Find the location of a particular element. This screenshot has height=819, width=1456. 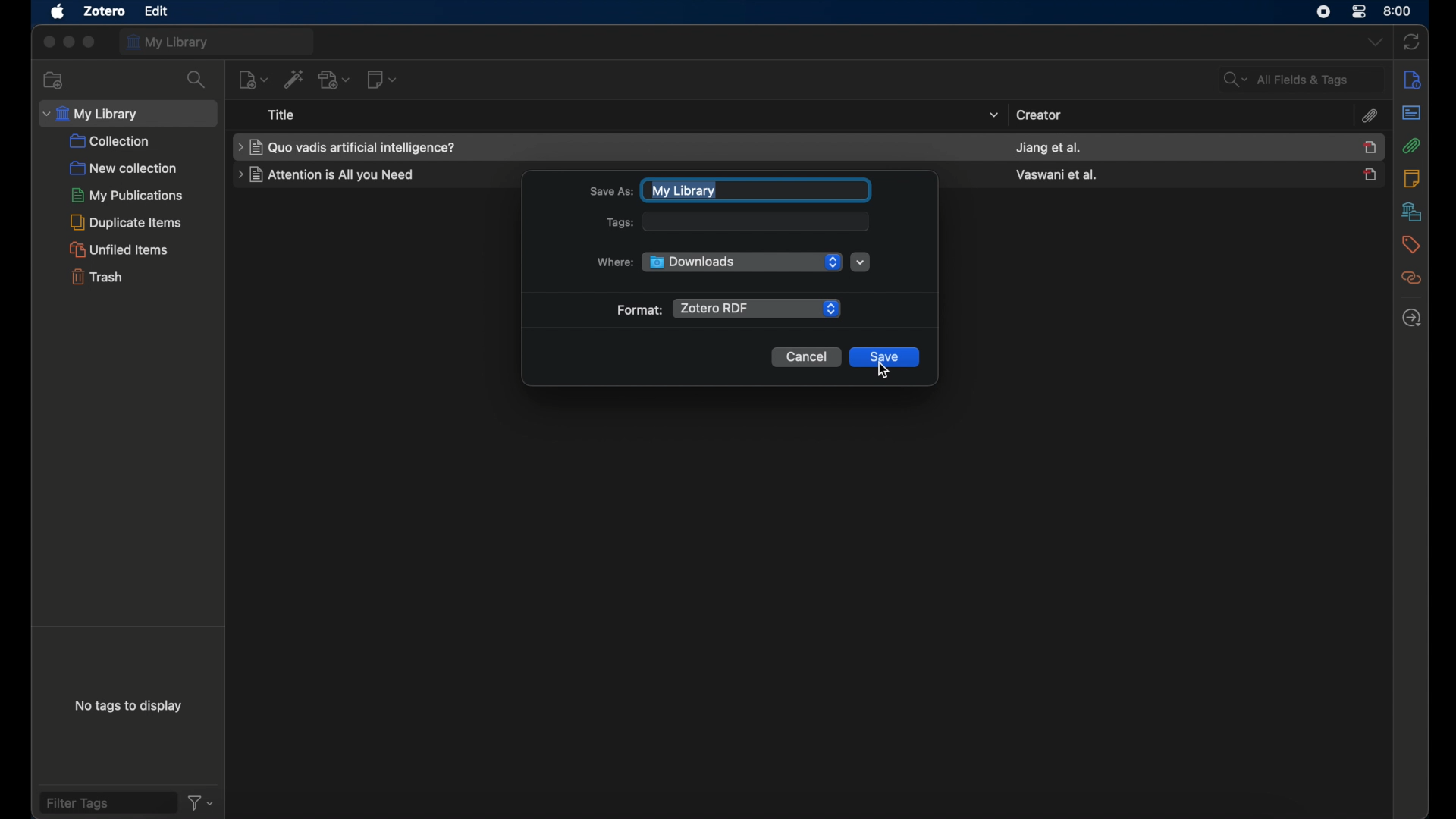

apple icon is located at coordinates (56, 12).